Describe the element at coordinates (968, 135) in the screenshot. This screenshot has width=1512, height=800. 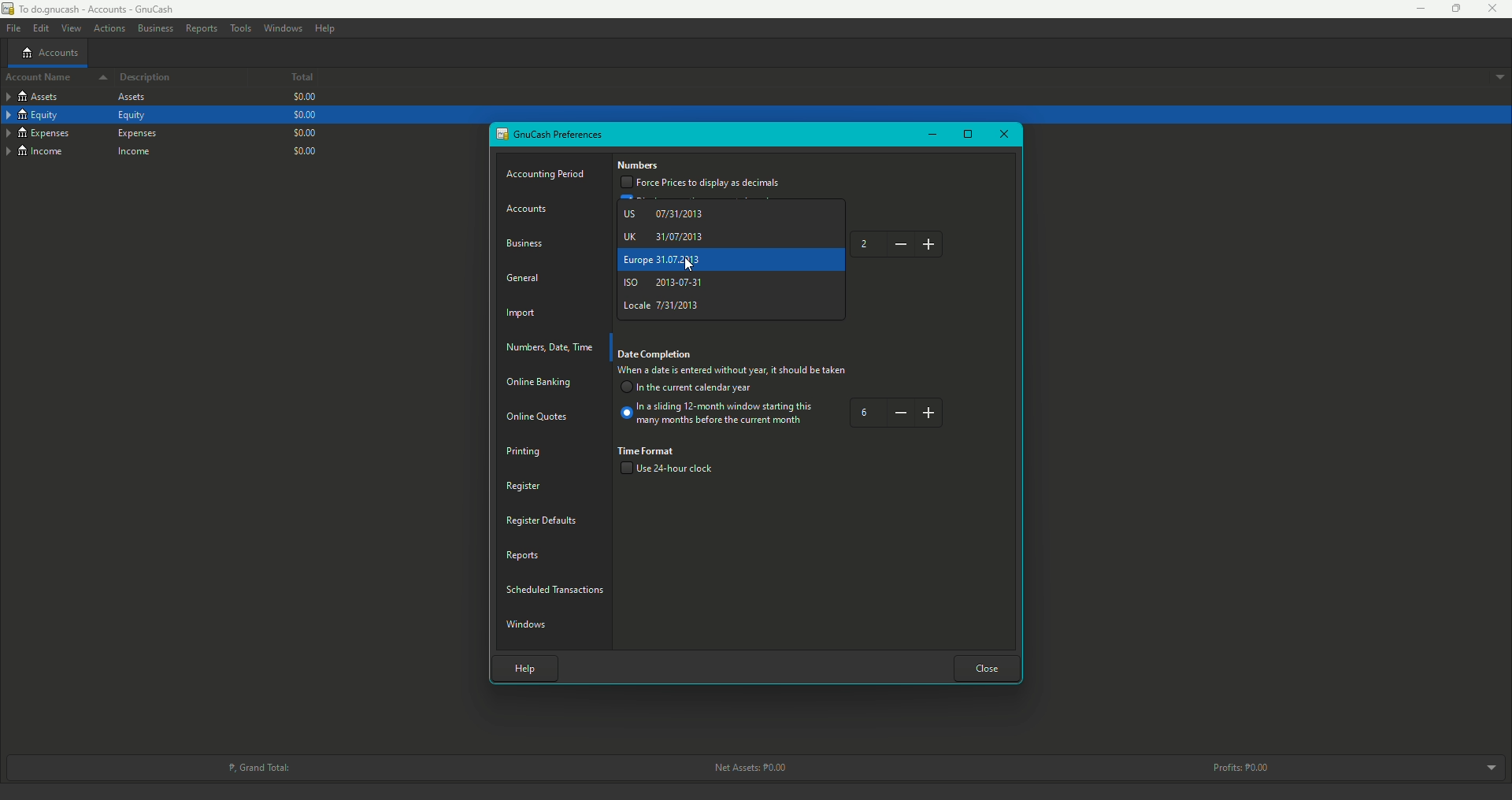
I see `Restore` at that location.